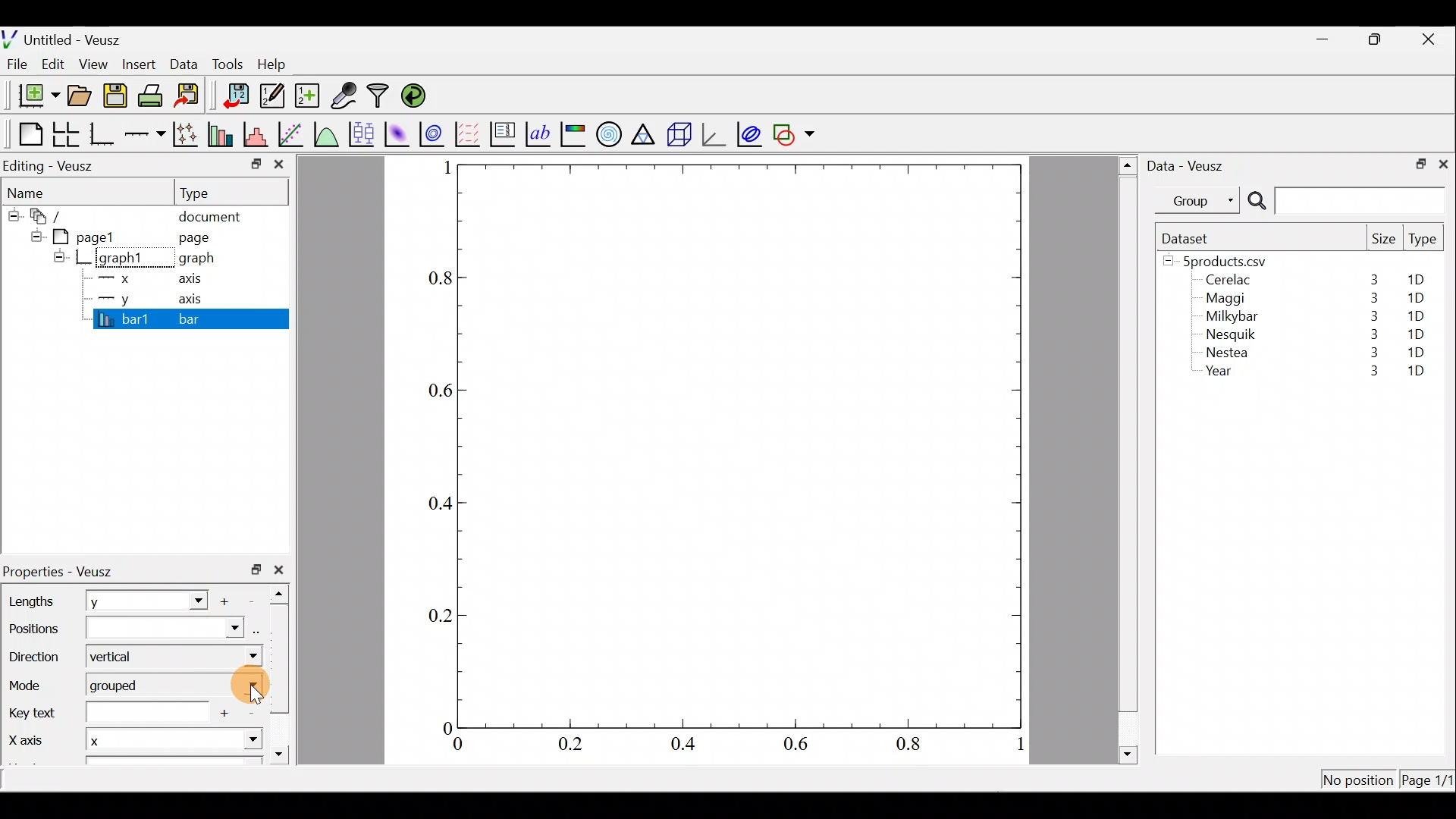 The width and height of the screenshot is (1456, 819). I want to click on Year, so click(1222, 375).